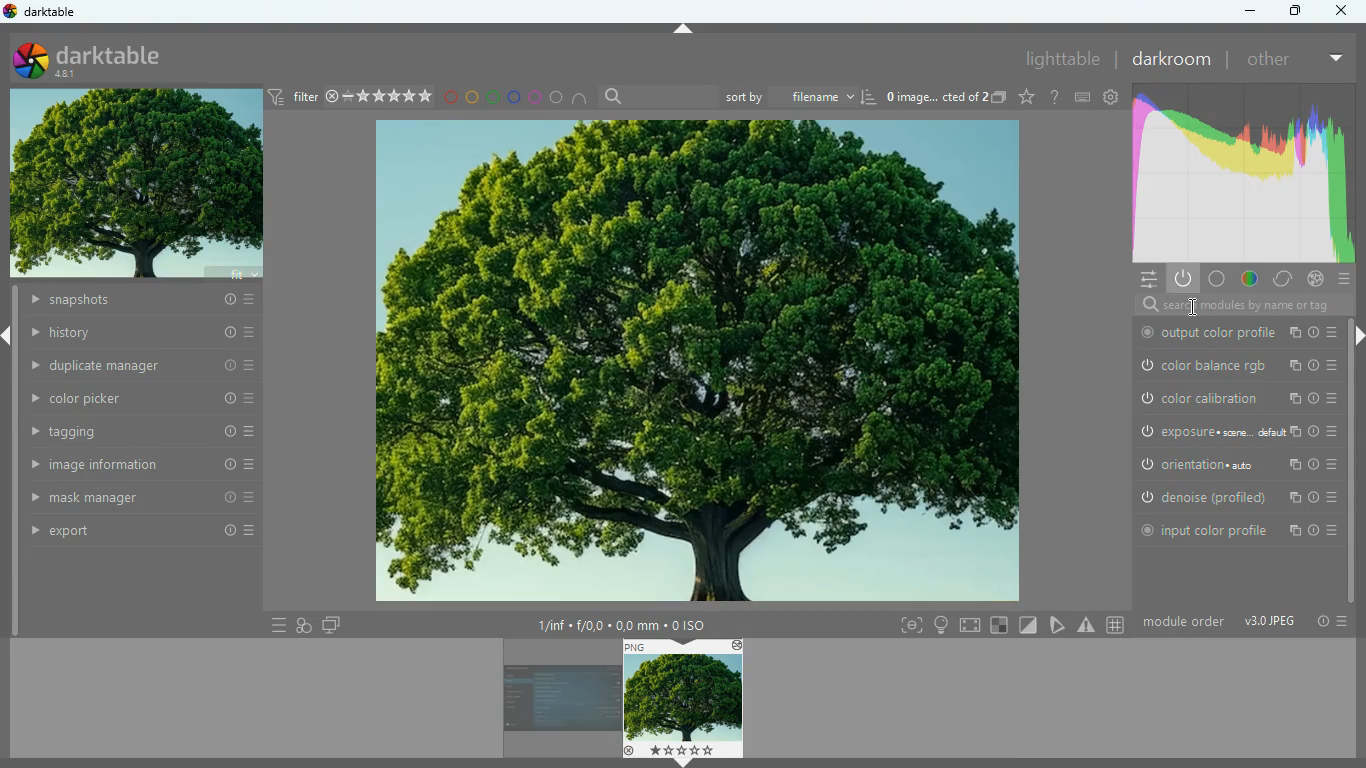 The width and height of the screenshot is (1366, 768). Describe the element at coordinates (142, 531) in the screenshot. I see `export` at that location.